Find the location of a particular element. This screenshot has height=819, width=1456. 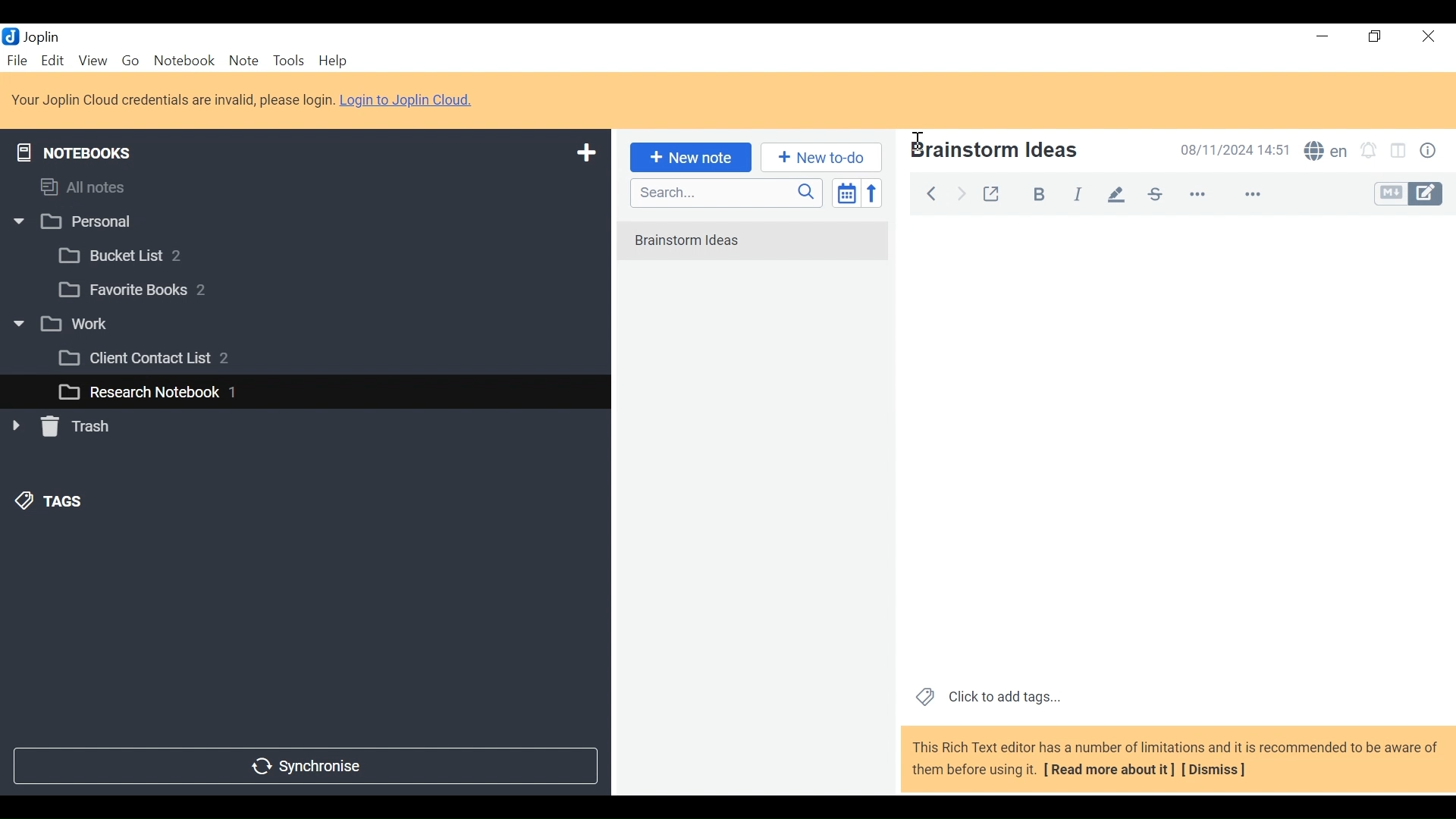

[3 Bucket List 2 is located at coordinates (149, 254).